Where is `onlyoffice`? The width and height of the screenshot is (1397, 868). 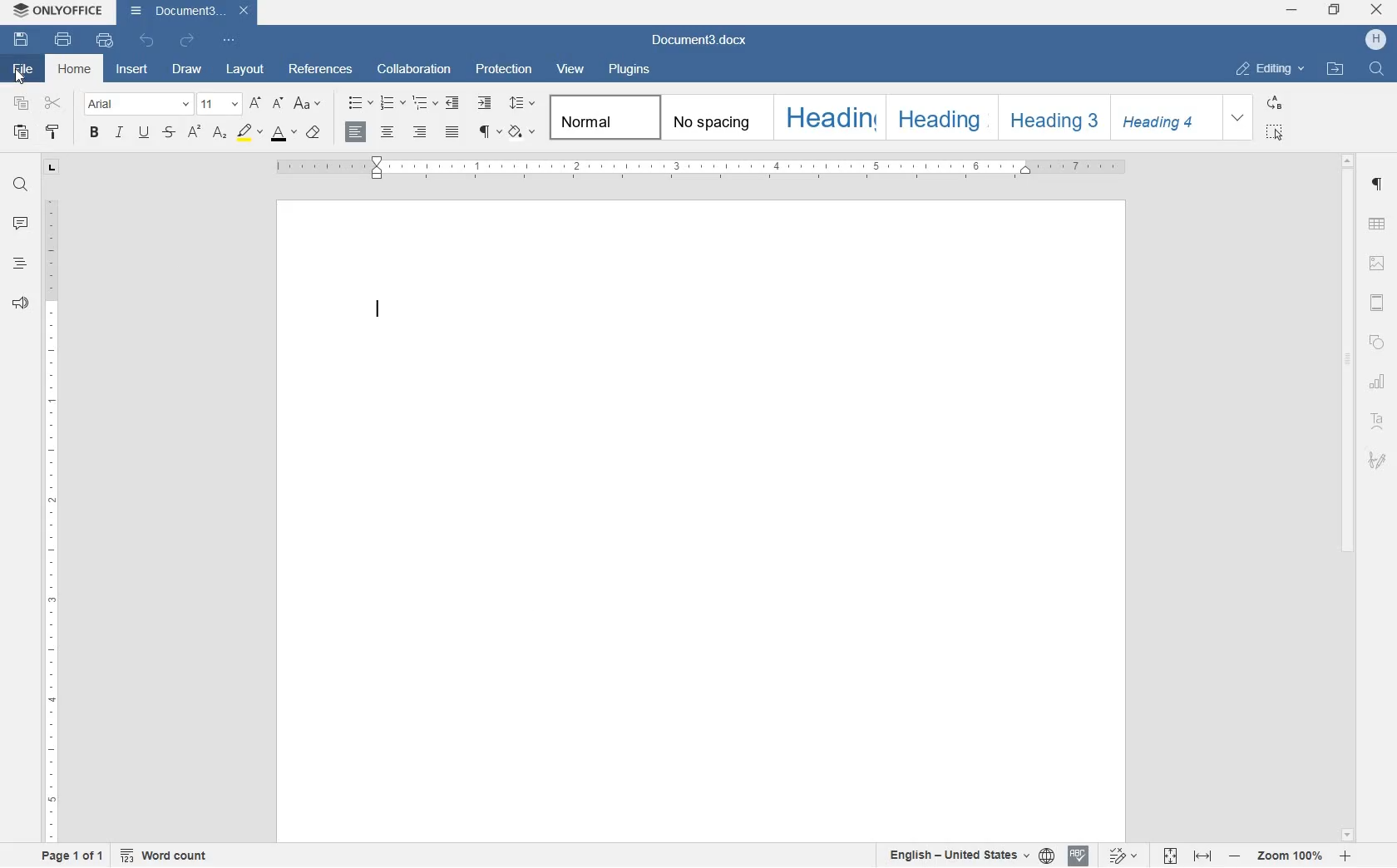
onlyoffice is located at coordinates (58, 10).